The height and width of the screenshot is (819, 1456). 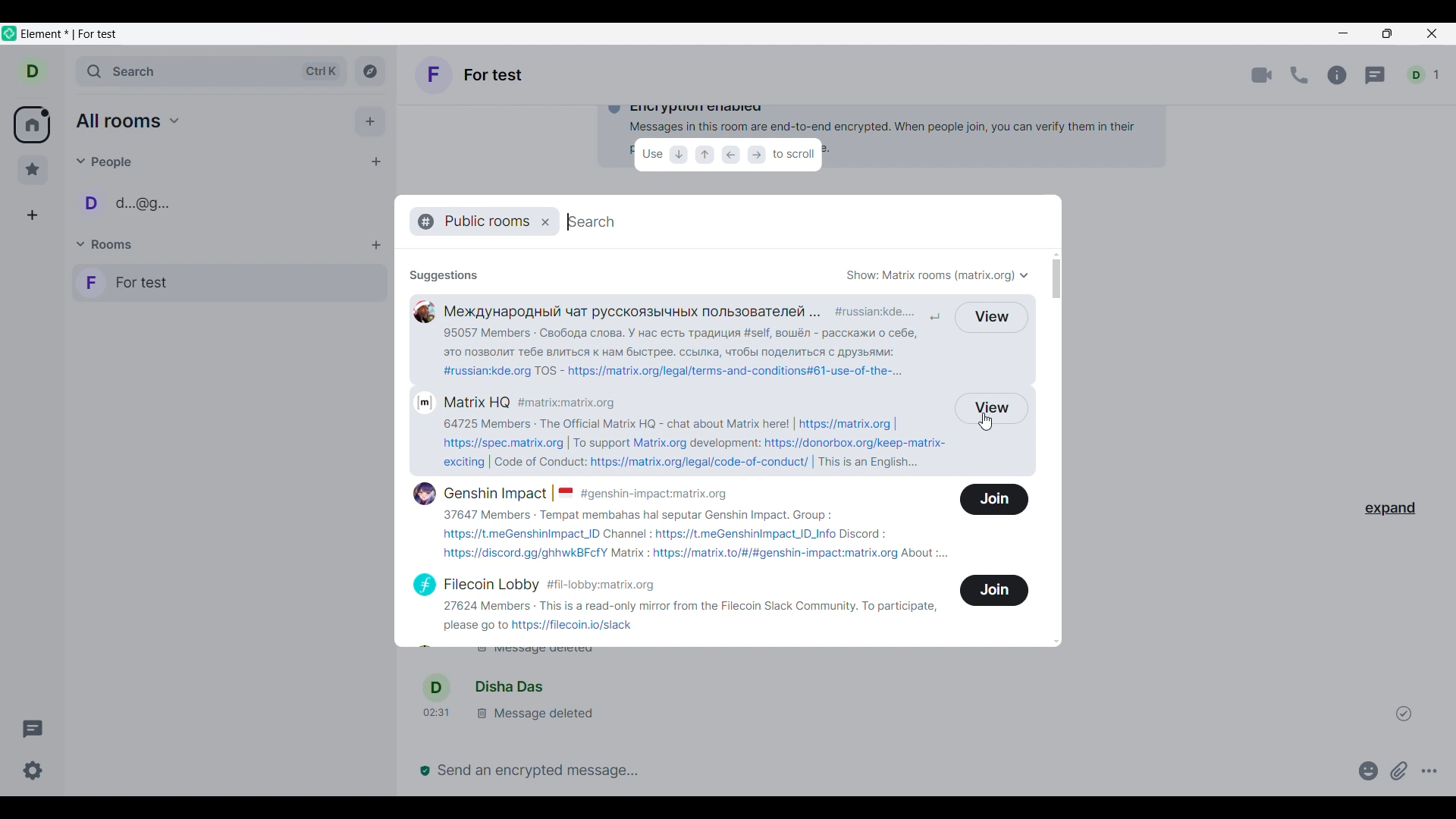 What do you see at coordinates (1391, 509) in the screenshot?
I see `Expand` at bounding box center [1391, 509].